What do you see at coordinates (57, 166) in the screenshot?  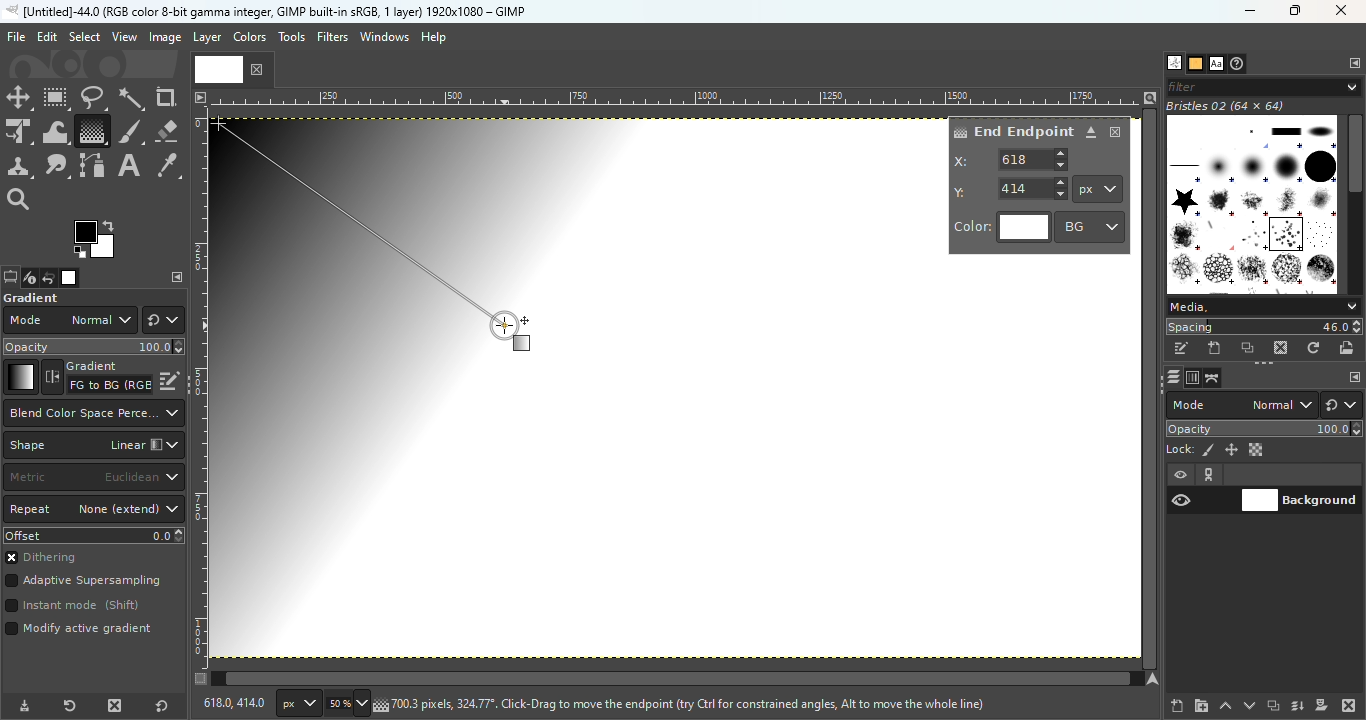 I see `Smudge tool` at bounding box center [57, 166].